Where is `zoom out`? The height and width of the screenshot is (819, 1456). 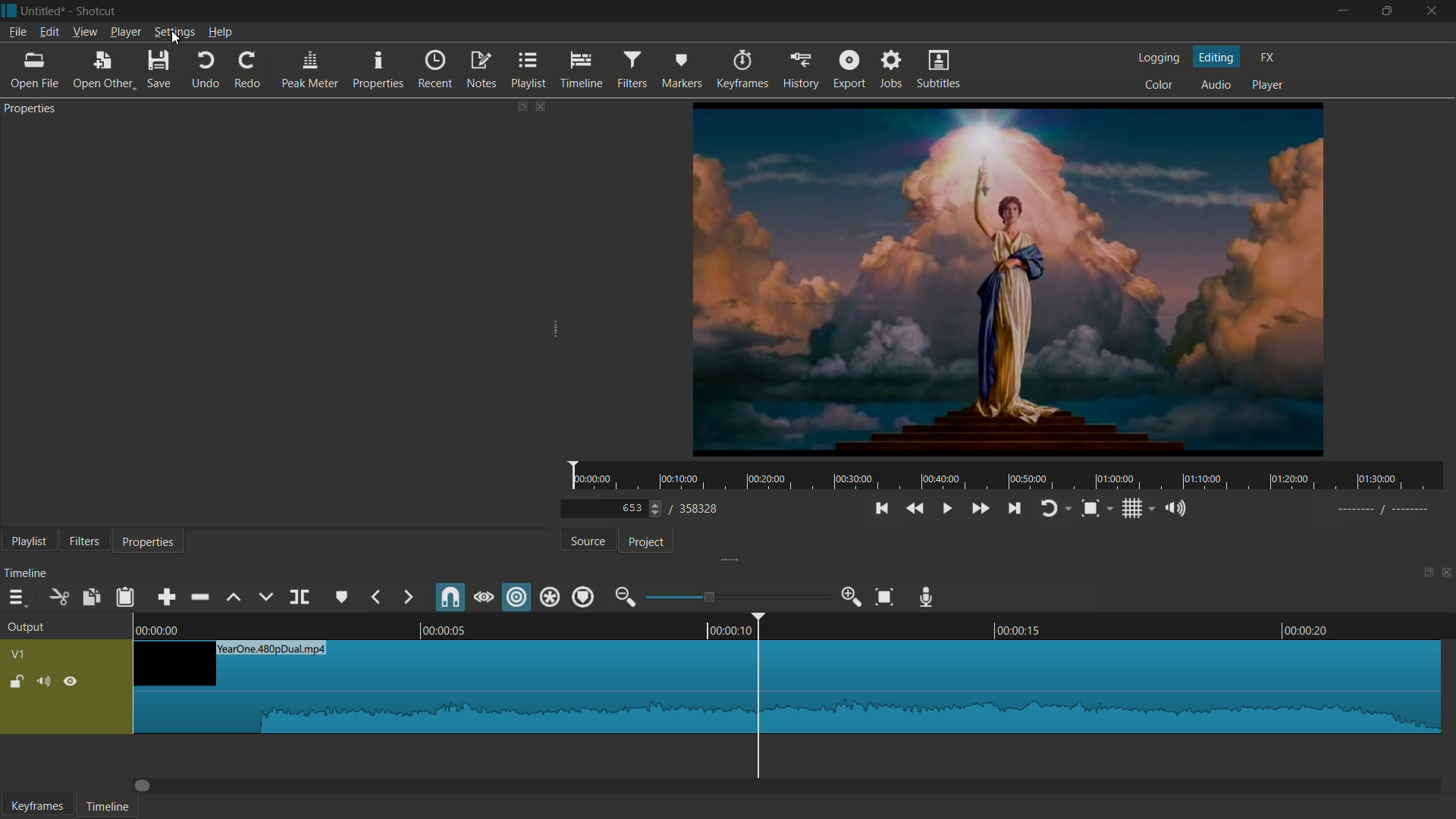
zoom out is located at coordinates (622, 598).